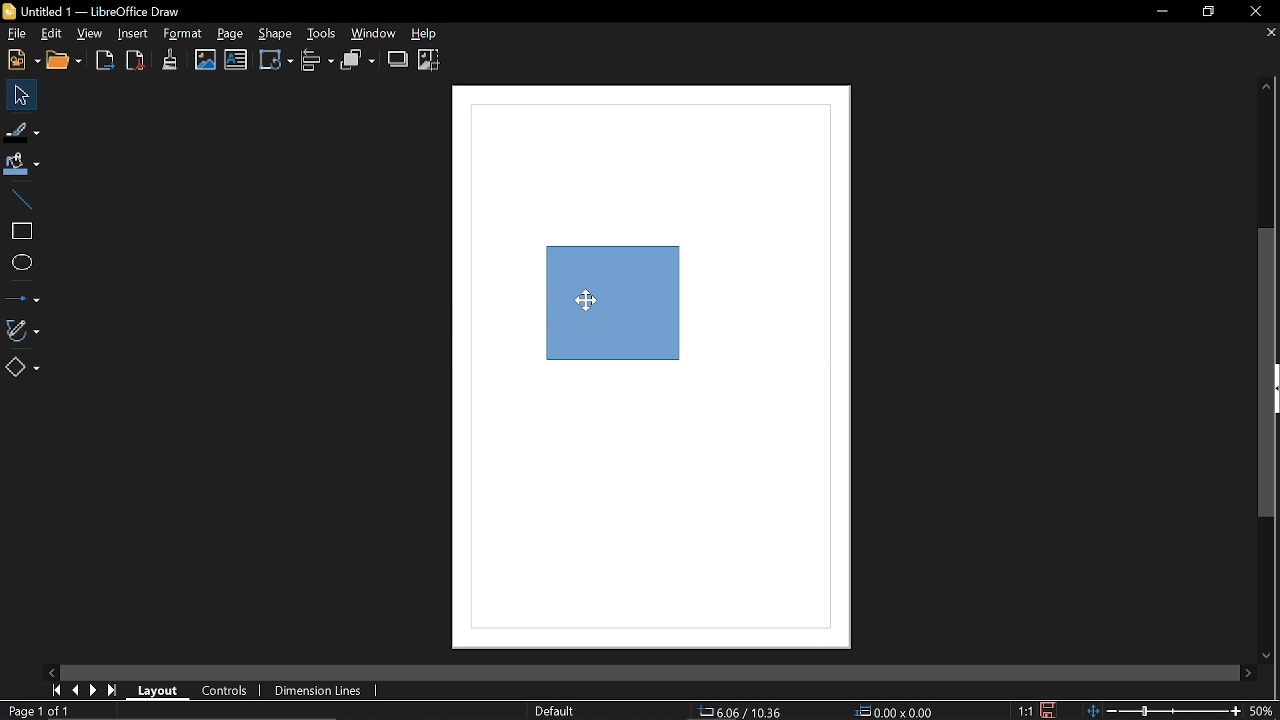  What do you see at coordinates (23, 130) in the screenshot?
I see `fill line` at bounding box center [23, 130].